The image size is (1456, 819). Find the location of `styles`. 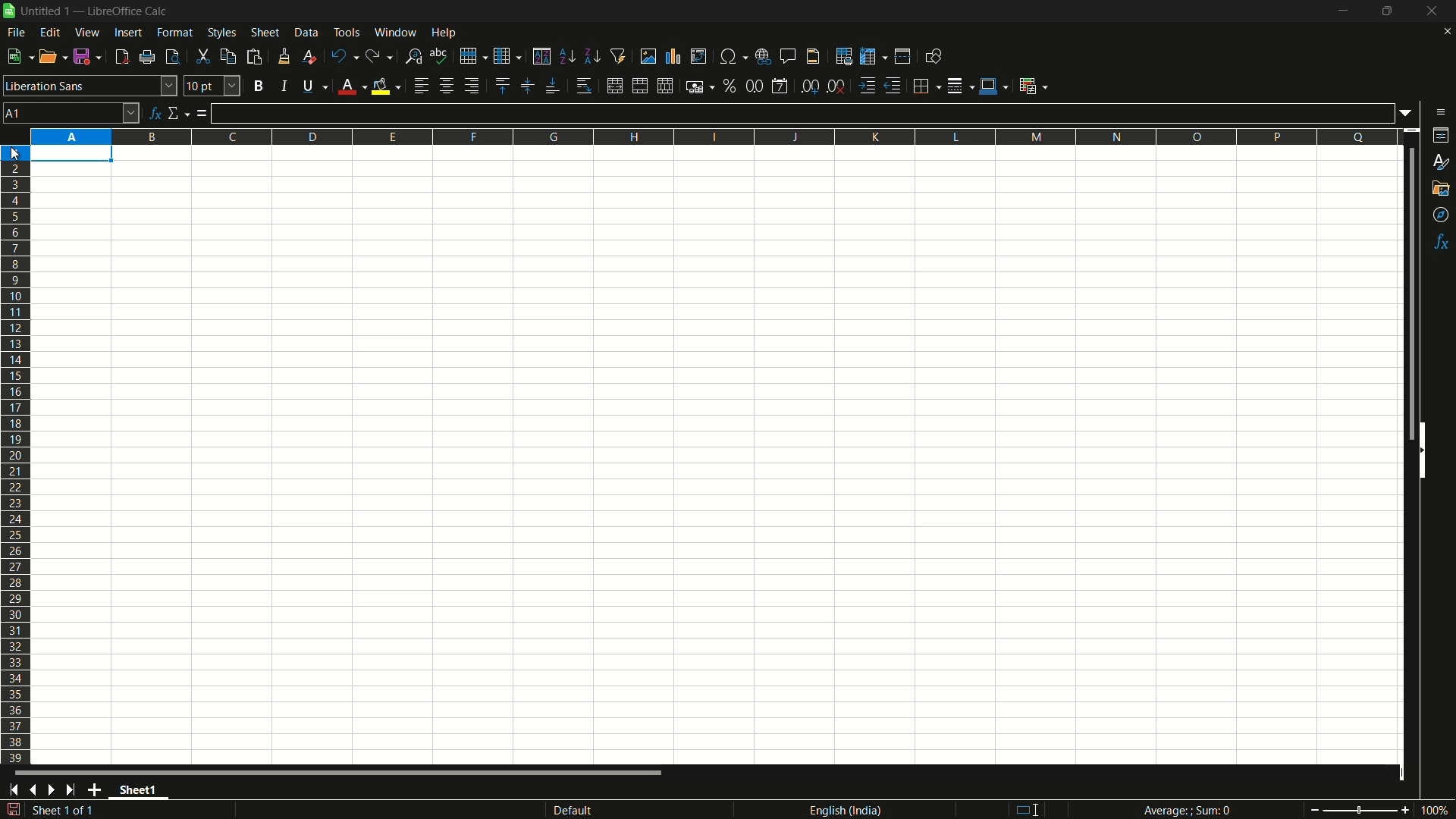

styles is located at coordinates (1439, 163).